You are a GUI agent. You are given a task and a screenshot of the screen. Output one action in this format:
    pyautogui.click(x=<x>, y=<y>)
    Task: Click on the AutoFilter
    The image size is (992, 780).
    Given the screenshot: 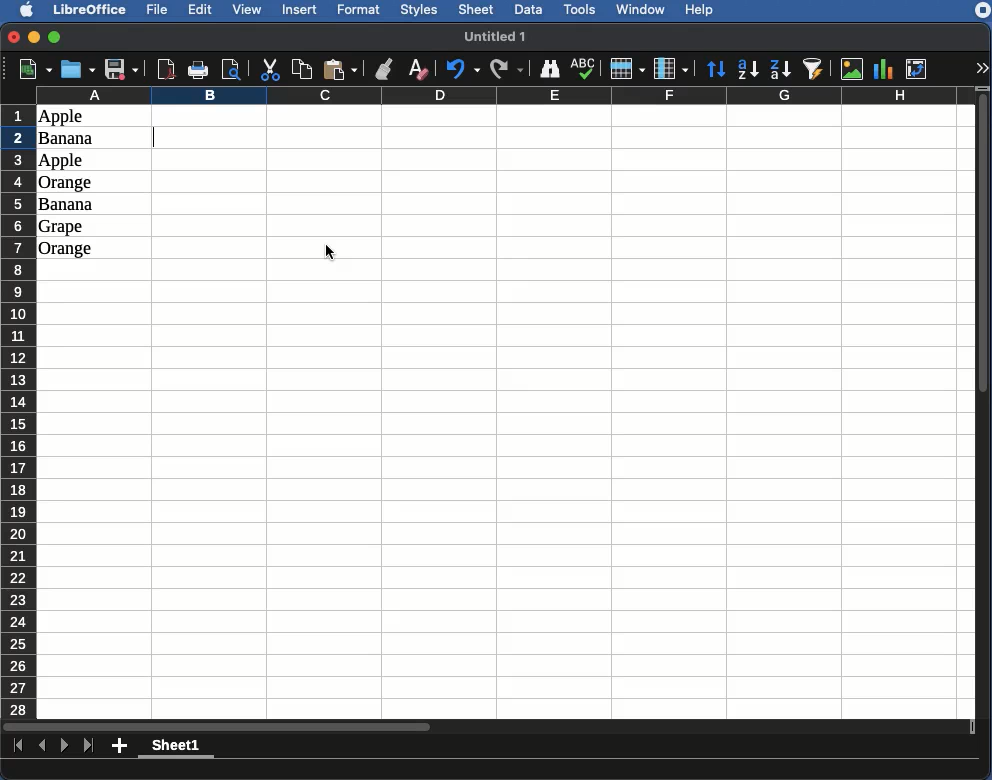 What is the action you would take?
    pyautogui.click(x=816, y=68)
    